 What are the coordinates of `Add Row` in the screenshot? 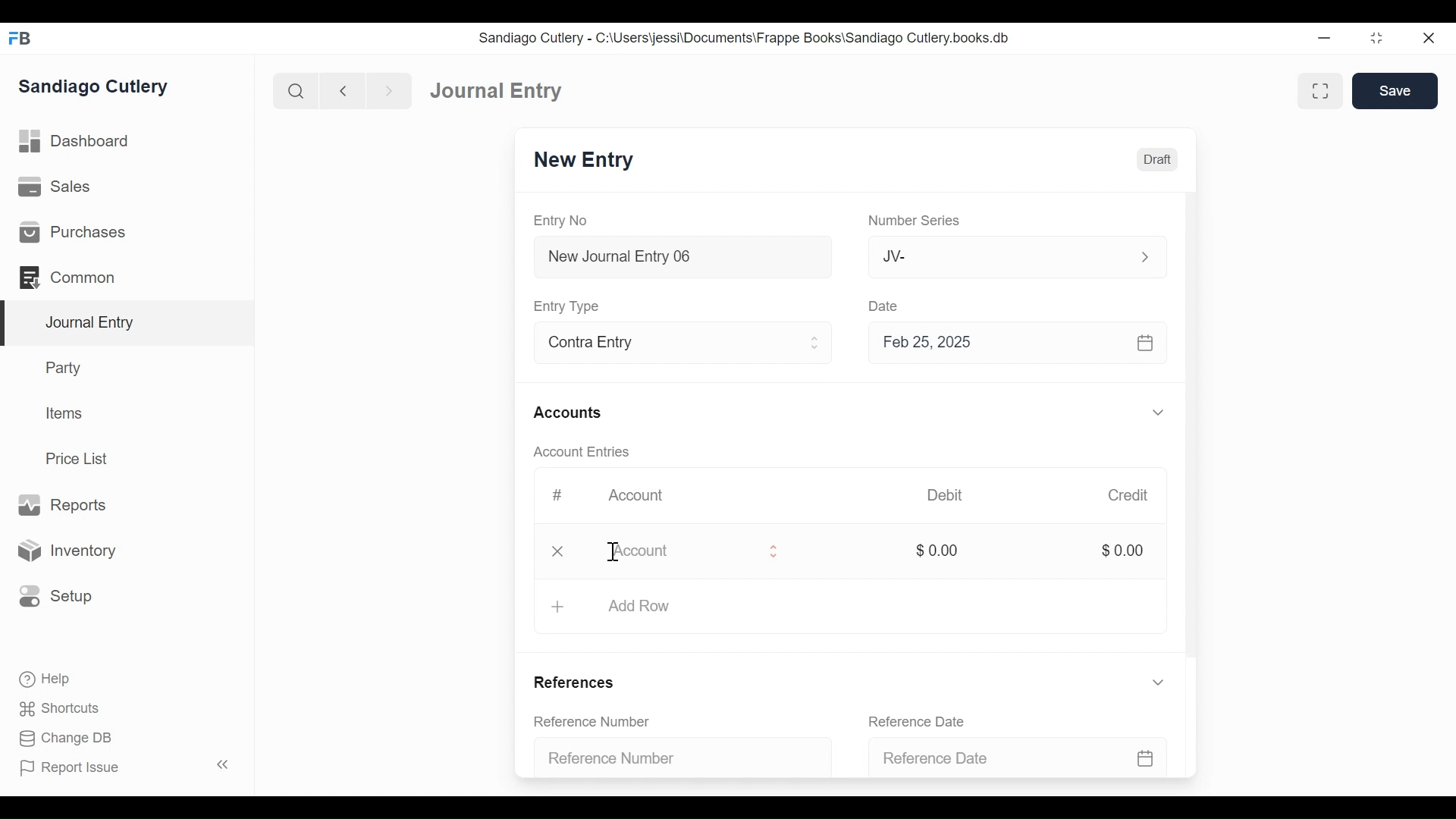 It's located at (639, 605).